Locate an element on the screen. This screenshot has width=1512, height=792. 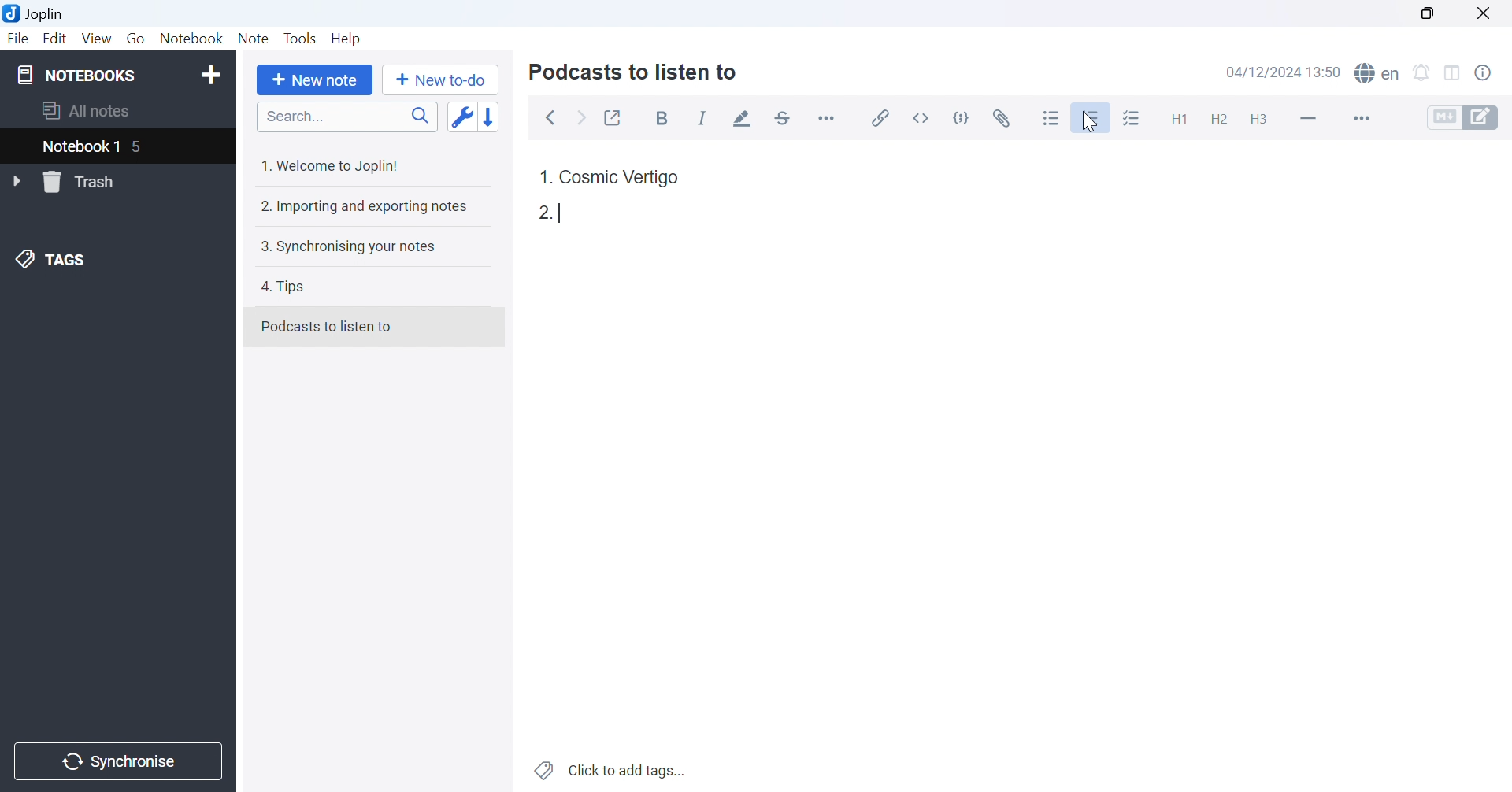
Set alarm is located at coordinates (1421, 72).